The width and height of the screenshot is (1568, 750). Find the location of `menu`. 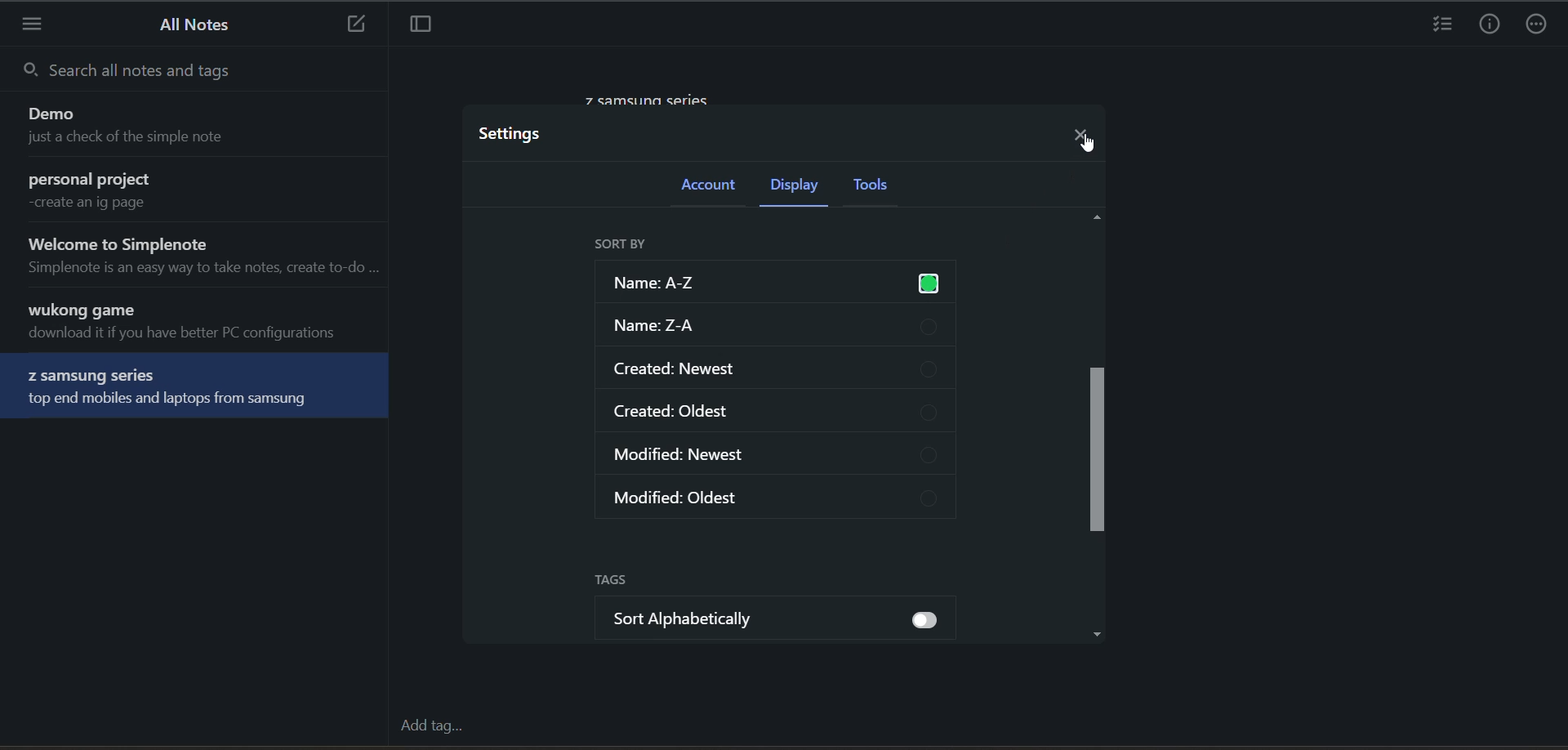

menu is located at coordinates (34, 28).